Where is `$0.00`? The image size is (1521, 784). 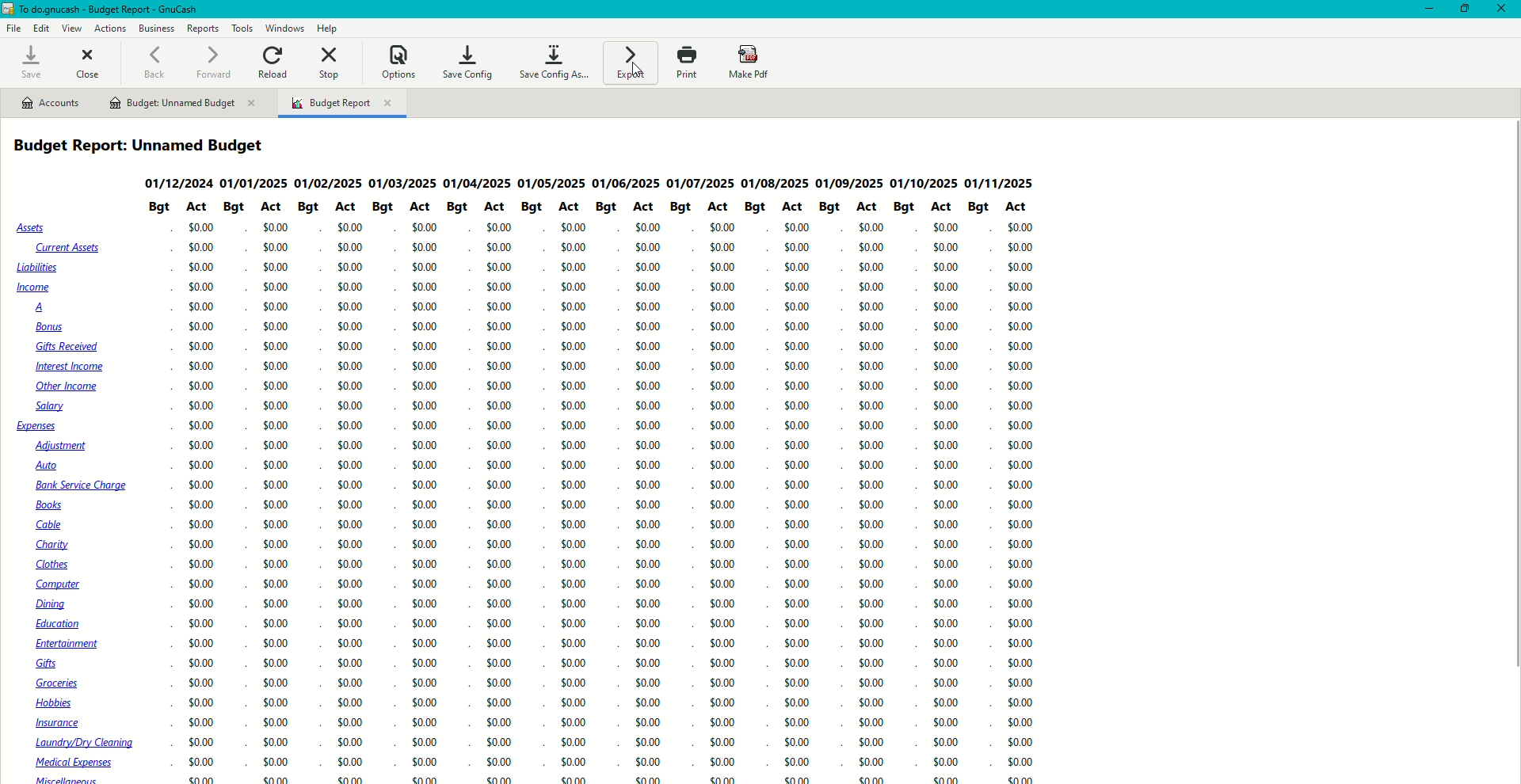 $0.00 is located at coordinates (646, 619).